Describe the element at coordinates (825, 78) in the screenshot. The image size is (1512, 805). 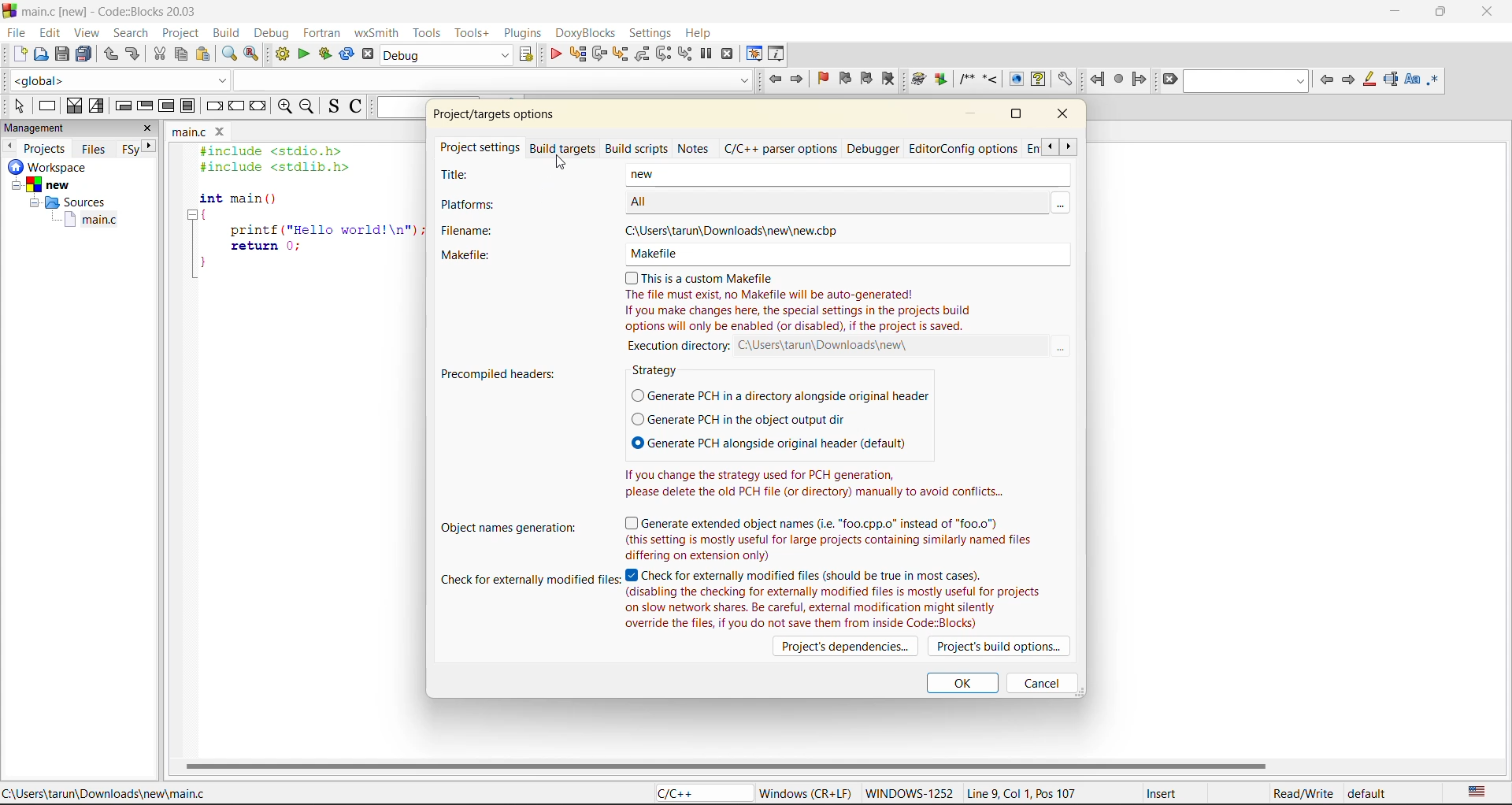
I see `toggle bookmark` at that location.